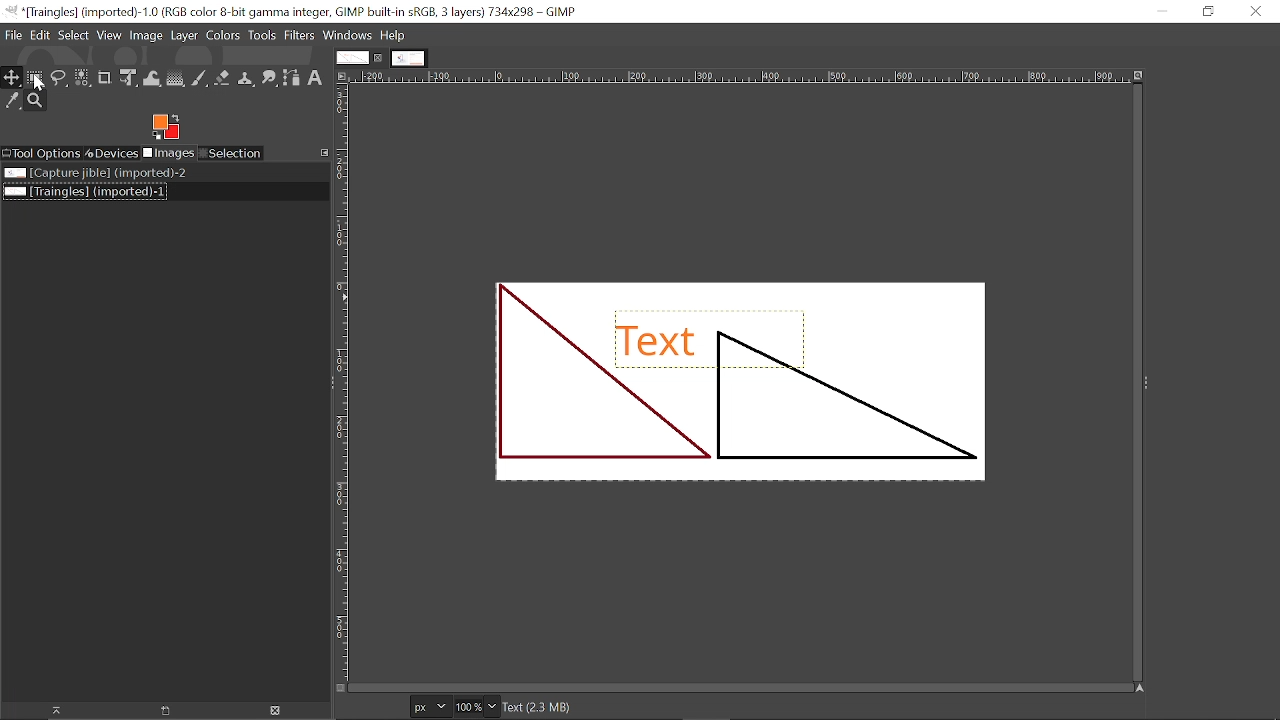 Image resolution: width=1280 pixels, height=720 pixels. Describe the element at coordinates (538, 708) in the screenshot. I see `Text(2.3 MB)` at that location.